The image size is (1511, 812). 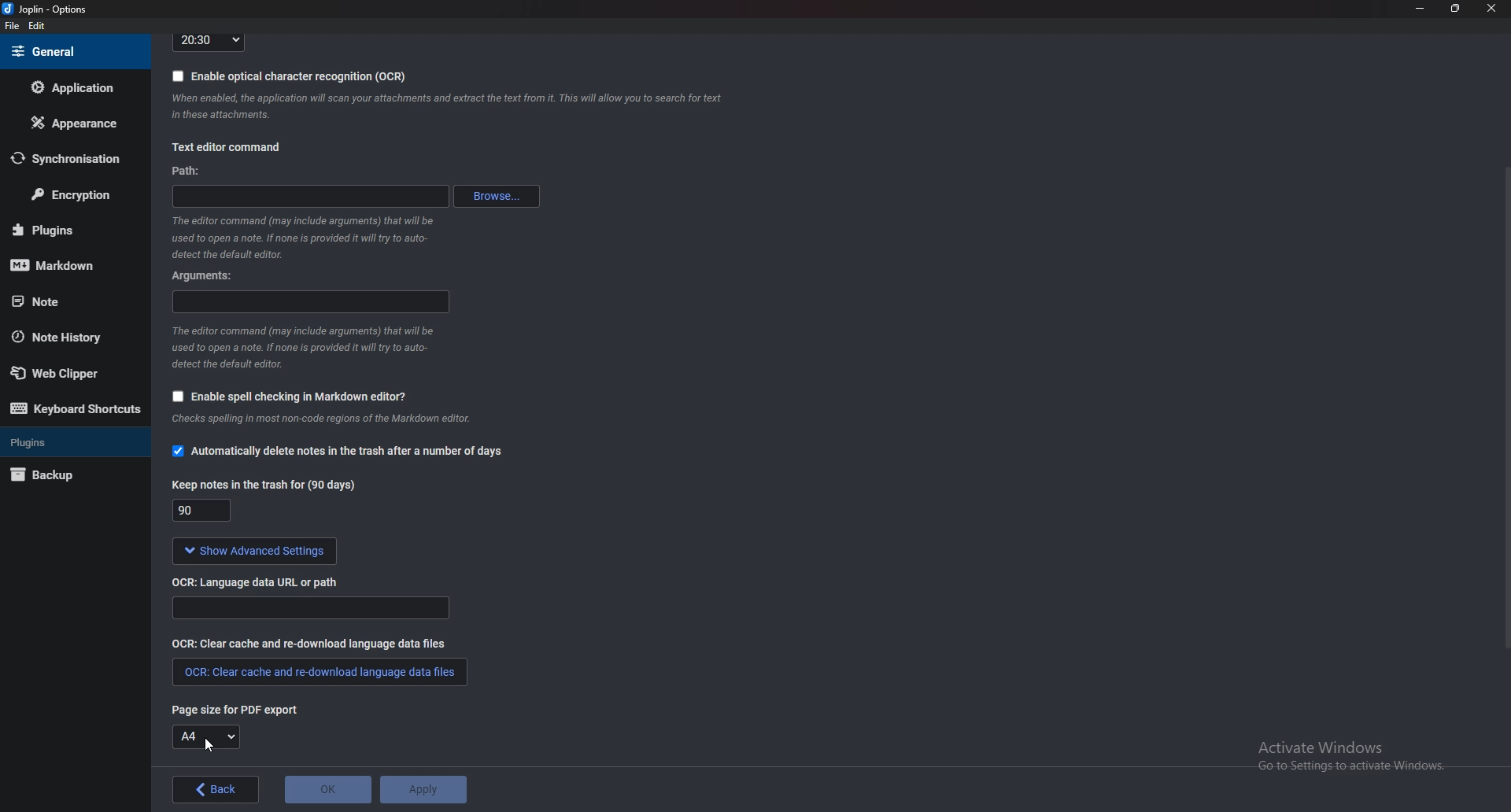 I want to click on path, so click(x=188, y=172).